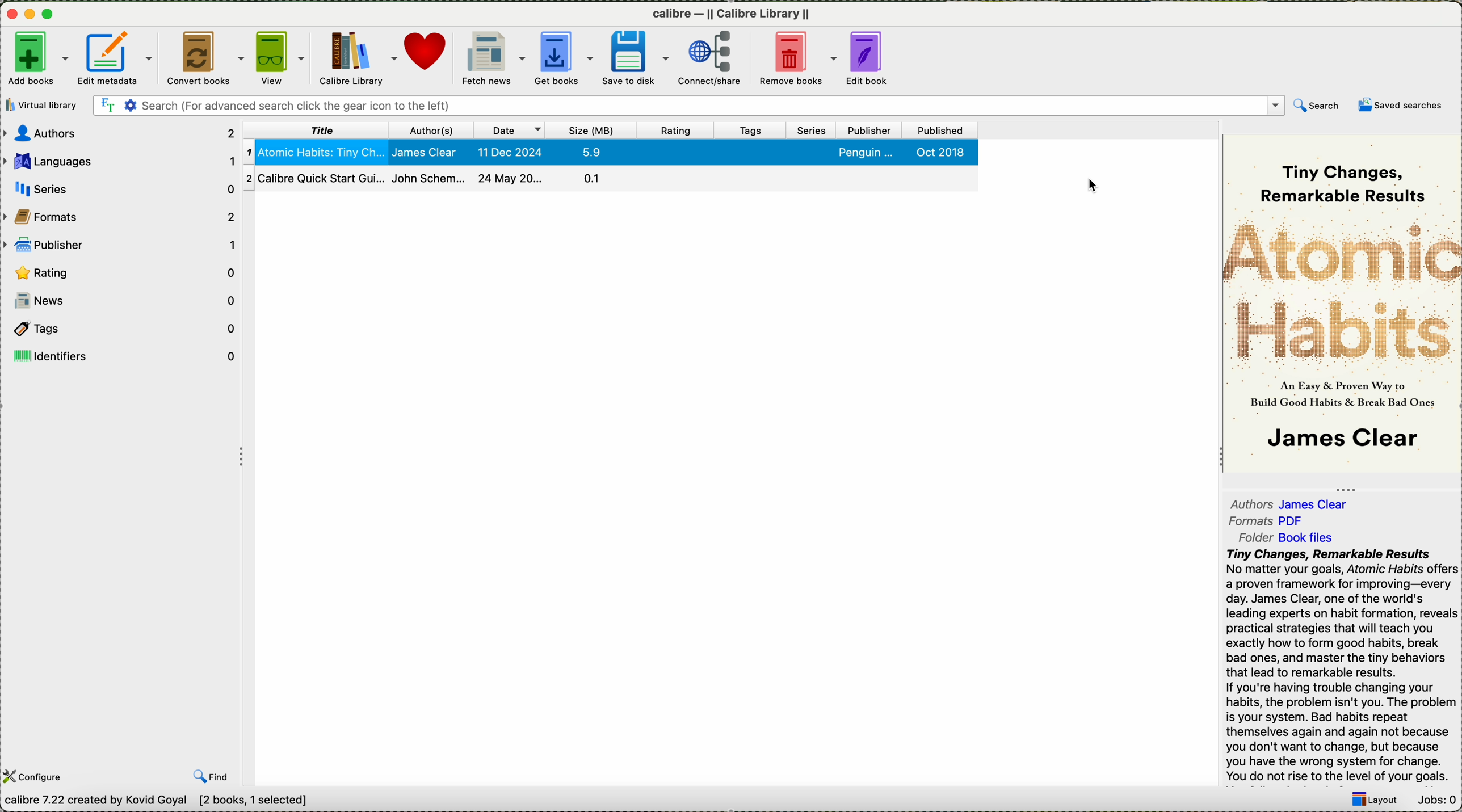 The width and height of the screenshot is (1462, 812). I want to click on author(s), so click(433, 129).